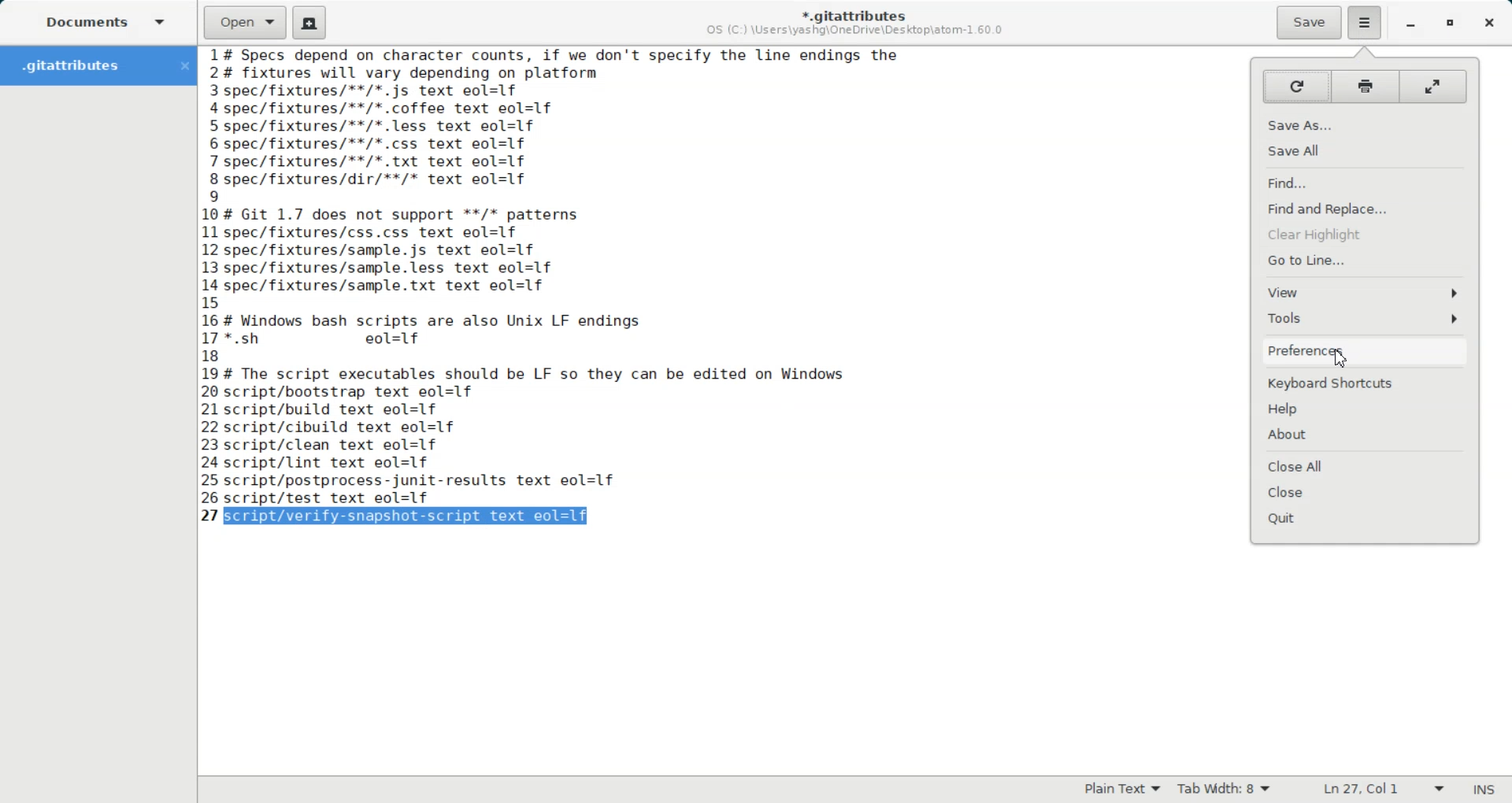 This screenshot has width=1512, height=803. Describe the element at coordinates (1366, 260) in the screenshot. I see `Go to line` at that location.